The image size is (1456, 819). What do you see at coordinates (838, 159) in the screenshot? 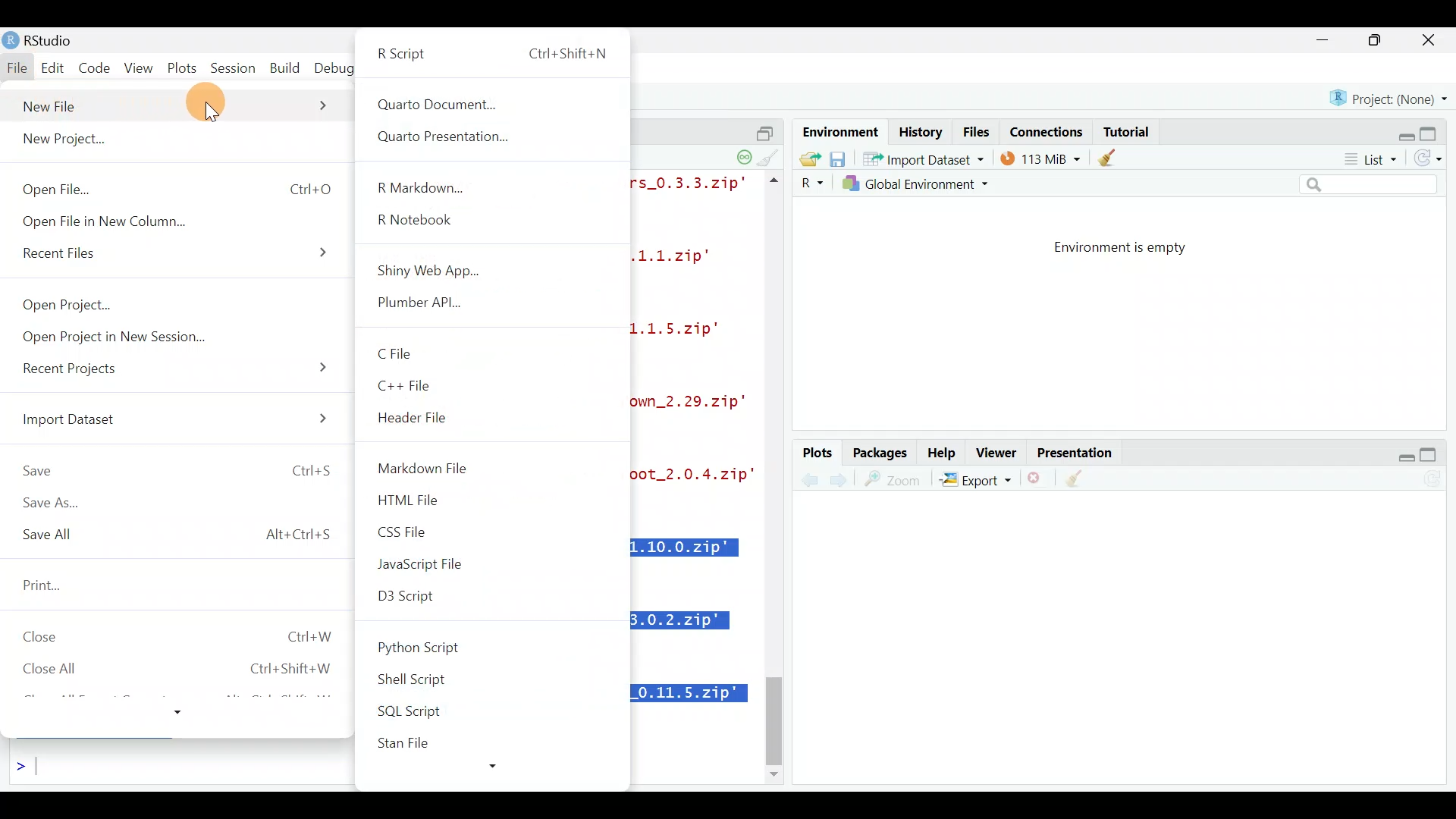
I see `save workspace as` at bounding box center [838, 159].